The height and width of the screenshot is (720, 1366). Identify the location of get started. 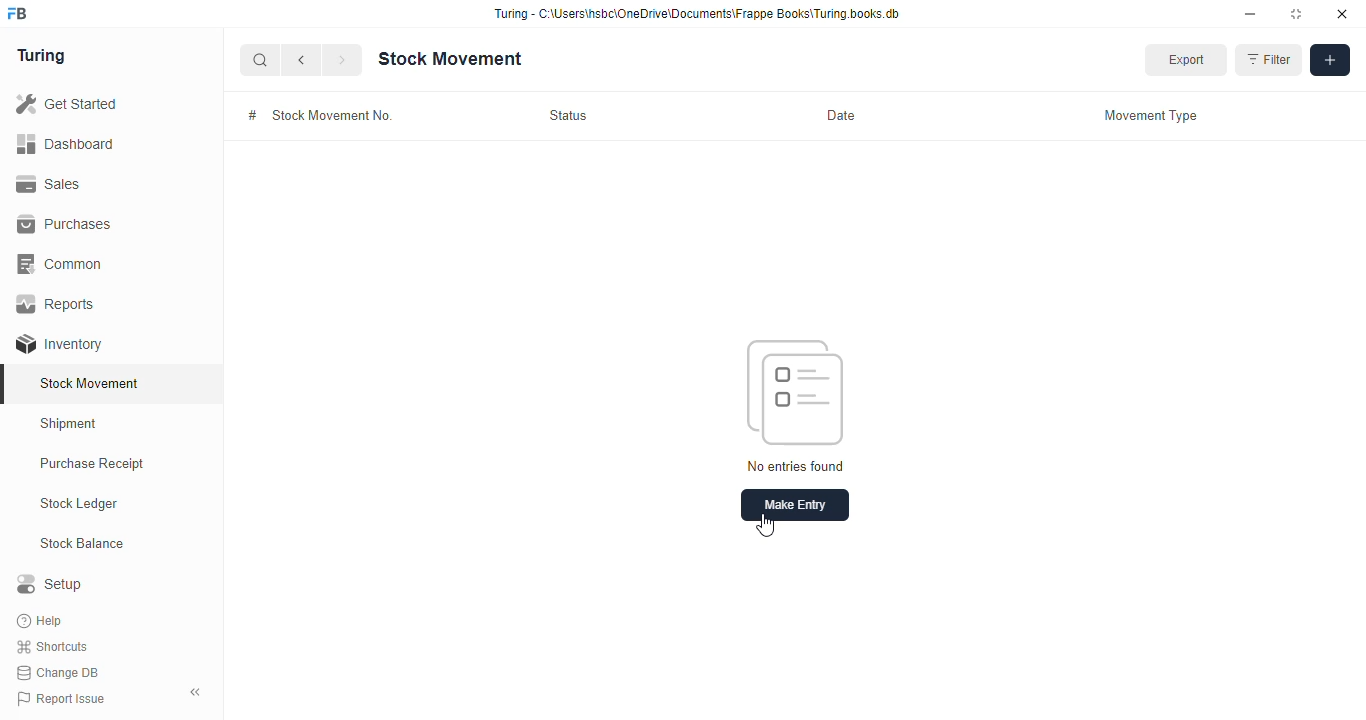
(68, 104).